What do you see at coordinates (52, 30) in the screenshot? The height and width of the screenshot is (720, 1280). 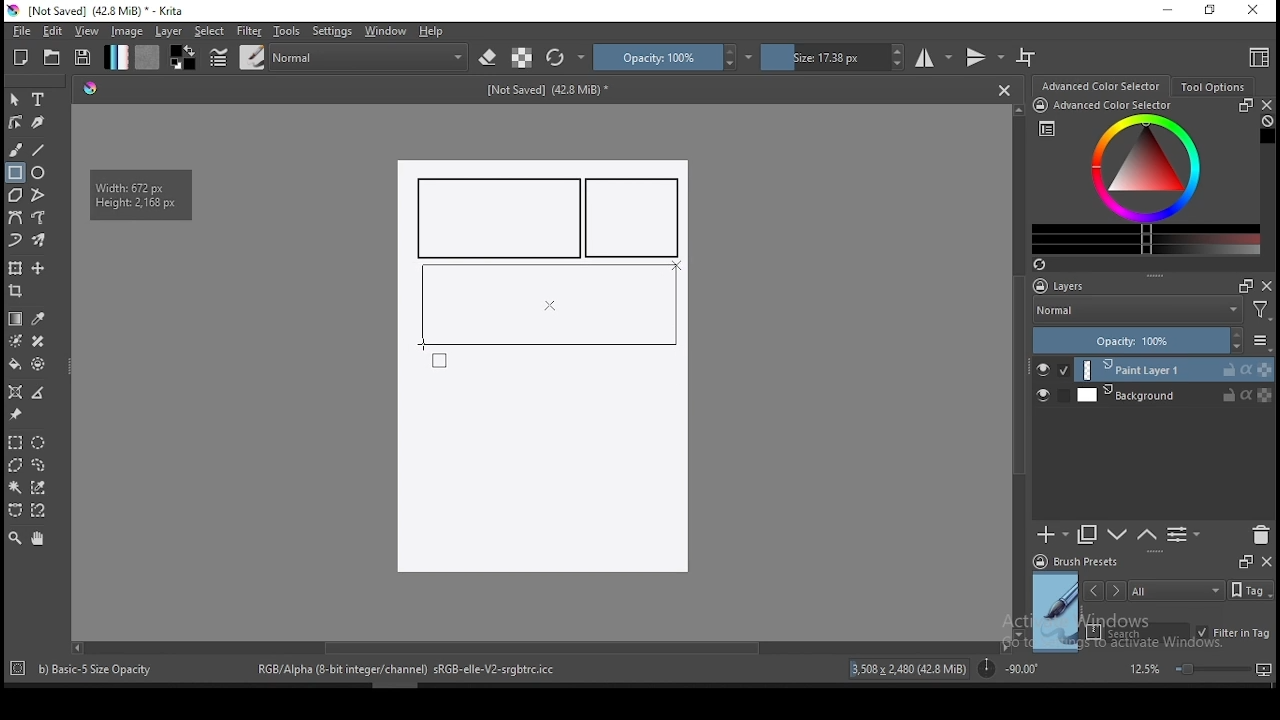 I see `edit` at bounding box center [52, 30].